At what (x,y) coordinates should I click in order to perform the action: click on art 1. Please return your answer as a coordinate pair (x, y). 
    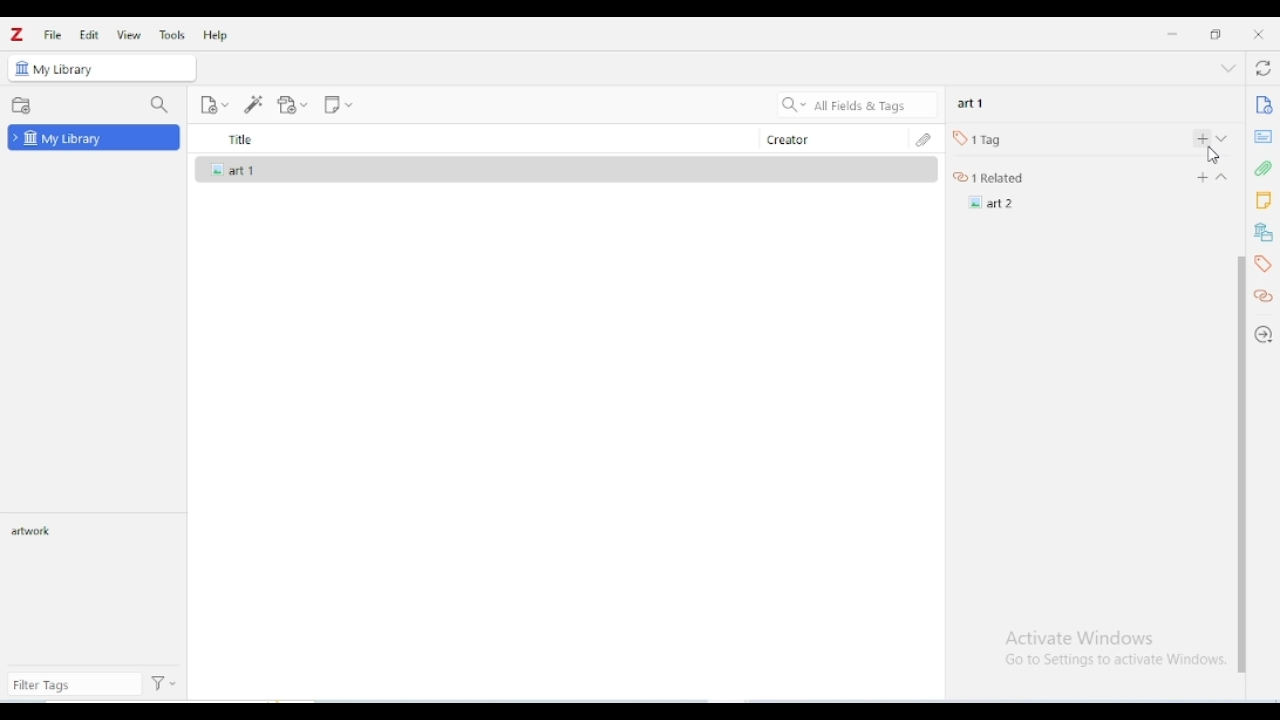
    Looking at the image, I should click on (971, 102).